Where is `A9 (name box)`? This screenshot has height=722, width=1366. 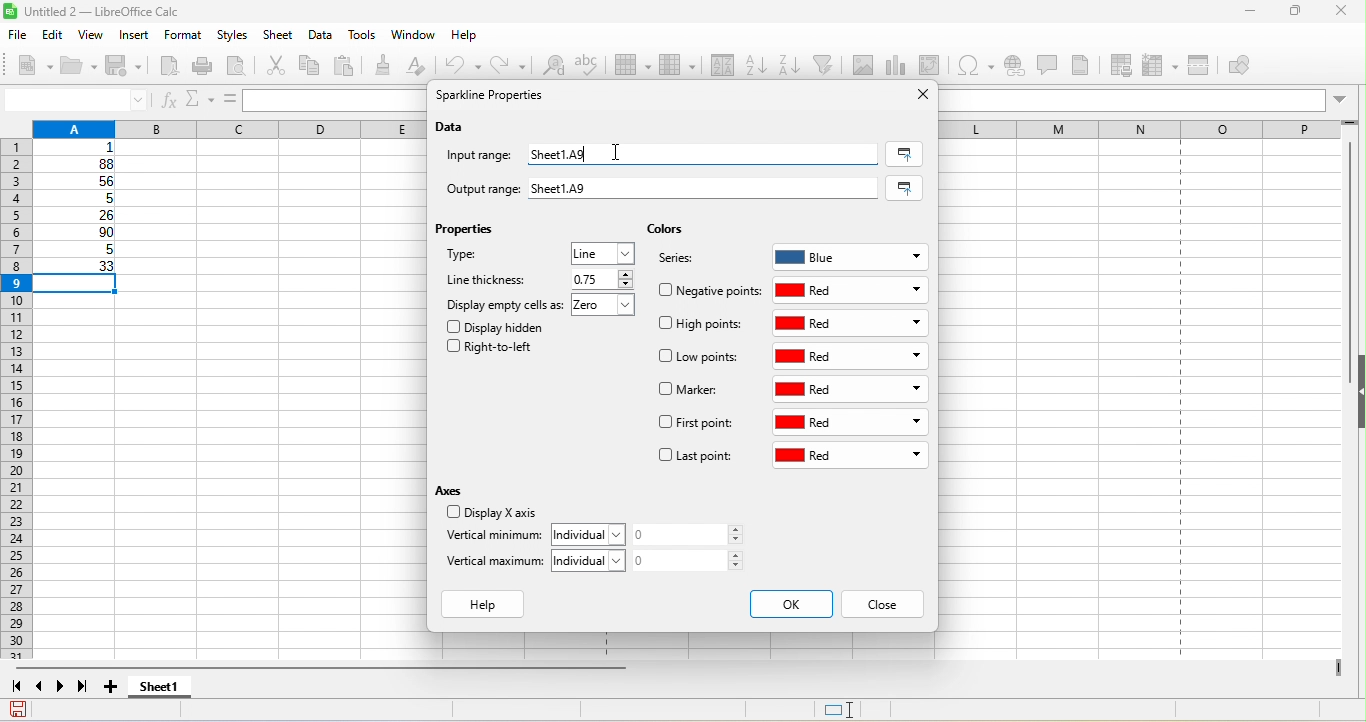
A9 (name box) is located at coordinates (75, 99).